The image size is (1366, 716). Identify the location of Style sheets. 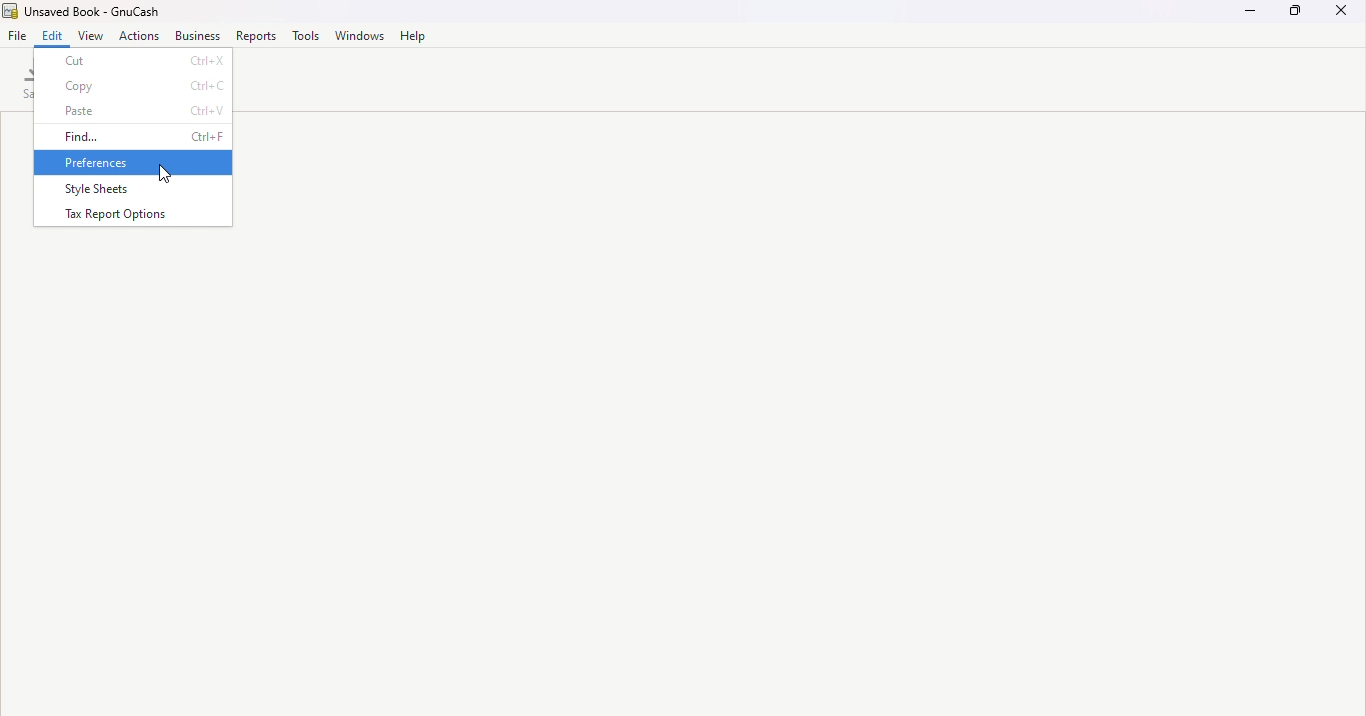
(135, 191).